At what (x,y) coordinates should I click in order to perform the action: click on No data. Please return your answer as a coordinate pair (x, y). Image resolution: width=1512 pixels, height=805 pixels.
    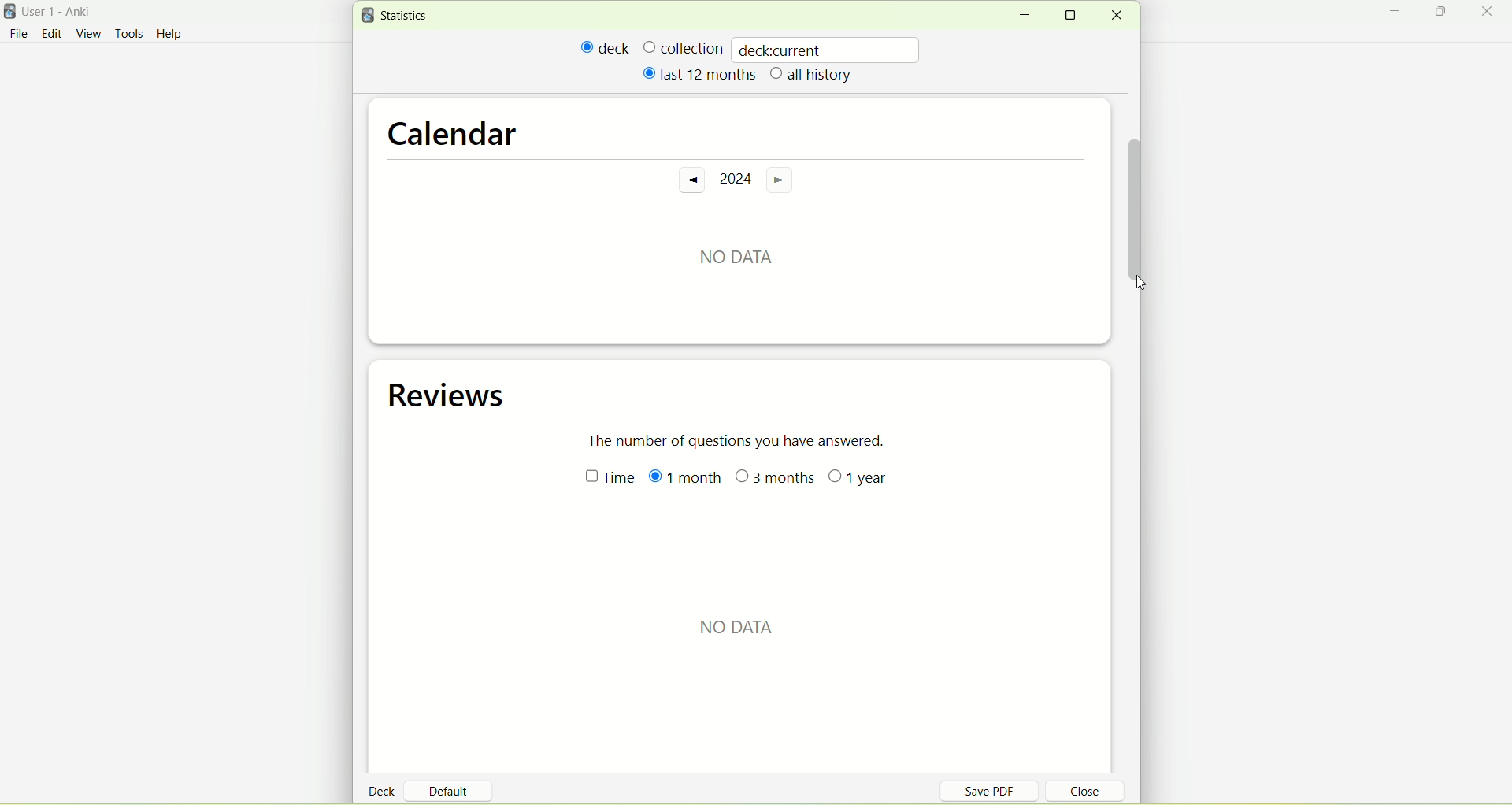
    Looking at the image, I should click on (735, 251).